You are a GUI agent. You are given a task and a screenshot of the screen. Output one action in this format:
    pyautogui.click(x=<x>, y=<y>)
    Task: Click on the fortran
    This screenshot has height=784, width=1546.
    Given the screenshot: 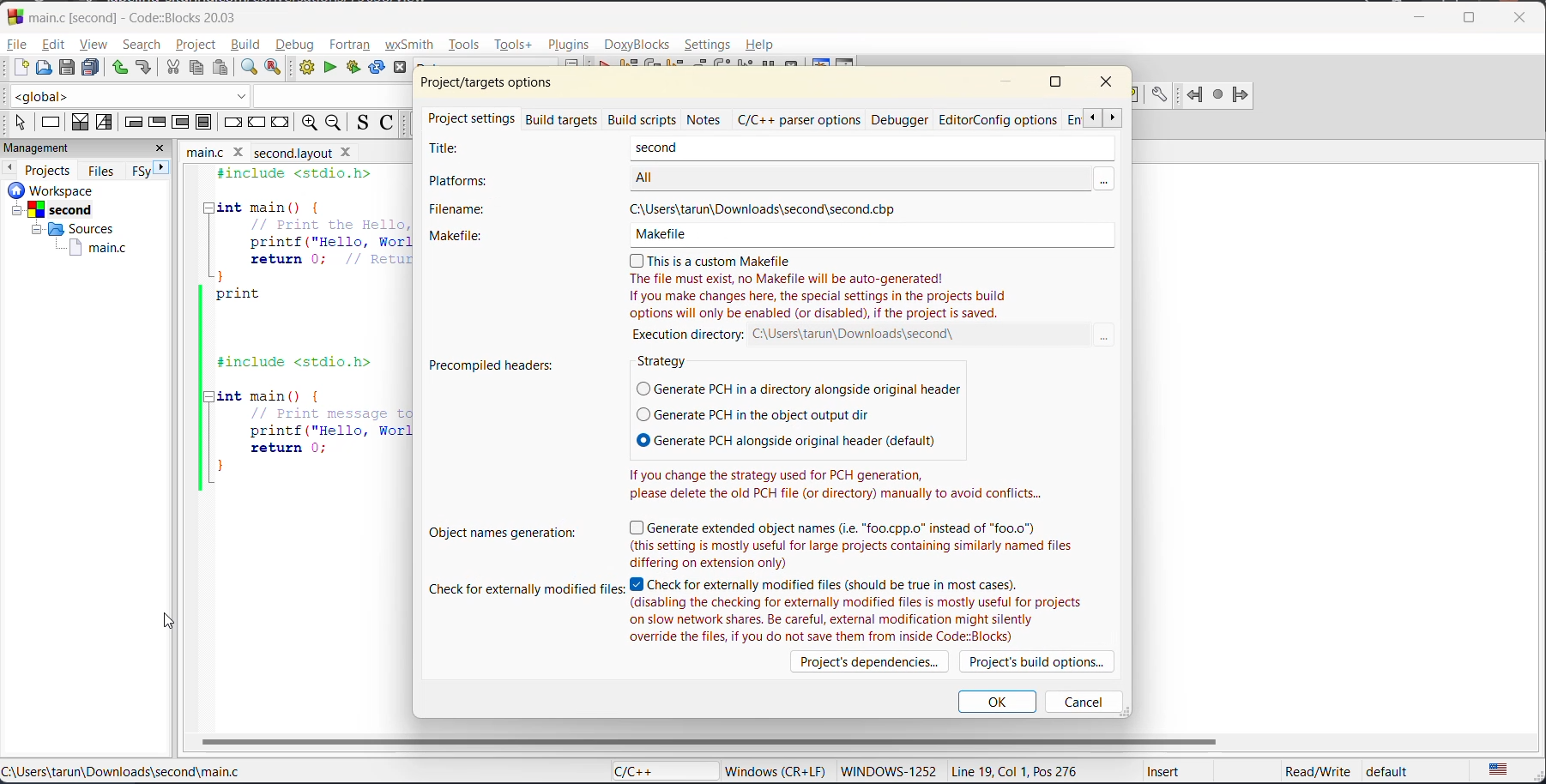 What is the action you would take?
    pyautogui.click(x=351, y=42)
    